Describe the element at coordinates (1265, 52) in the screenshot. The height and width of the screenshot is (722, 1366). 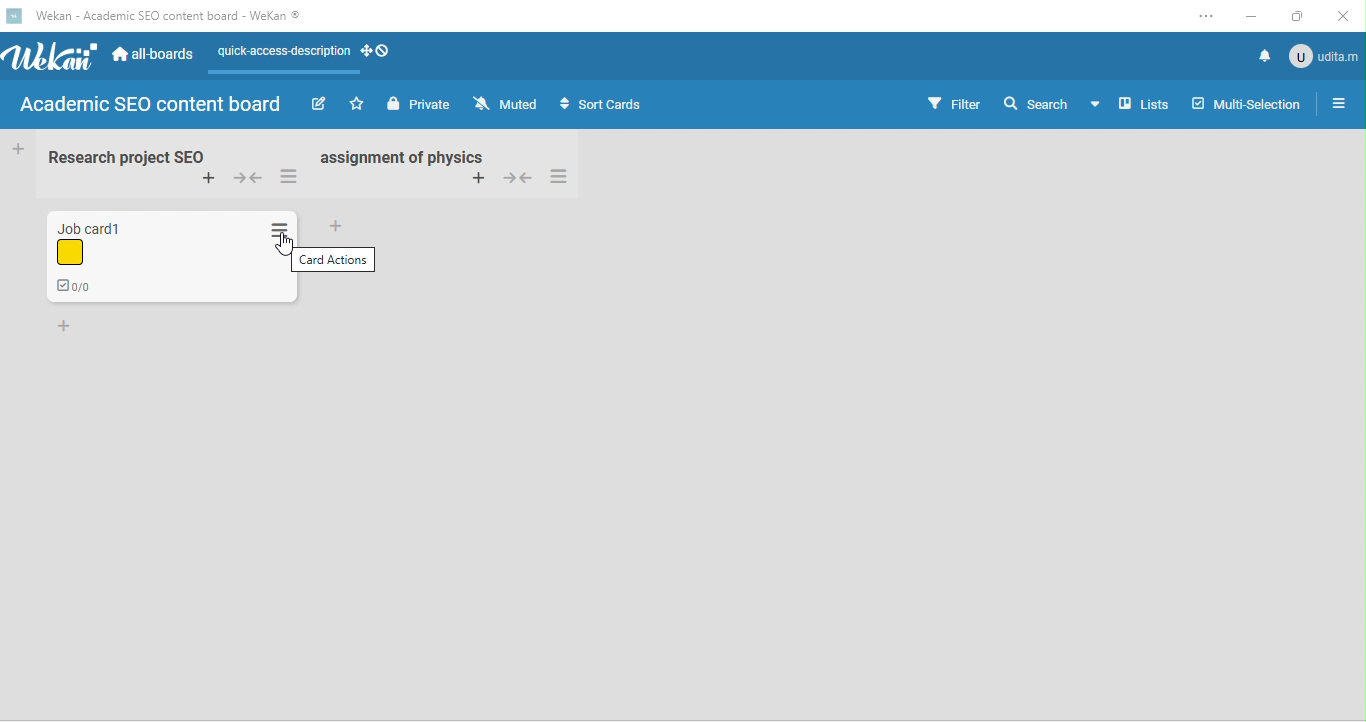
I see `notifications` at that location.